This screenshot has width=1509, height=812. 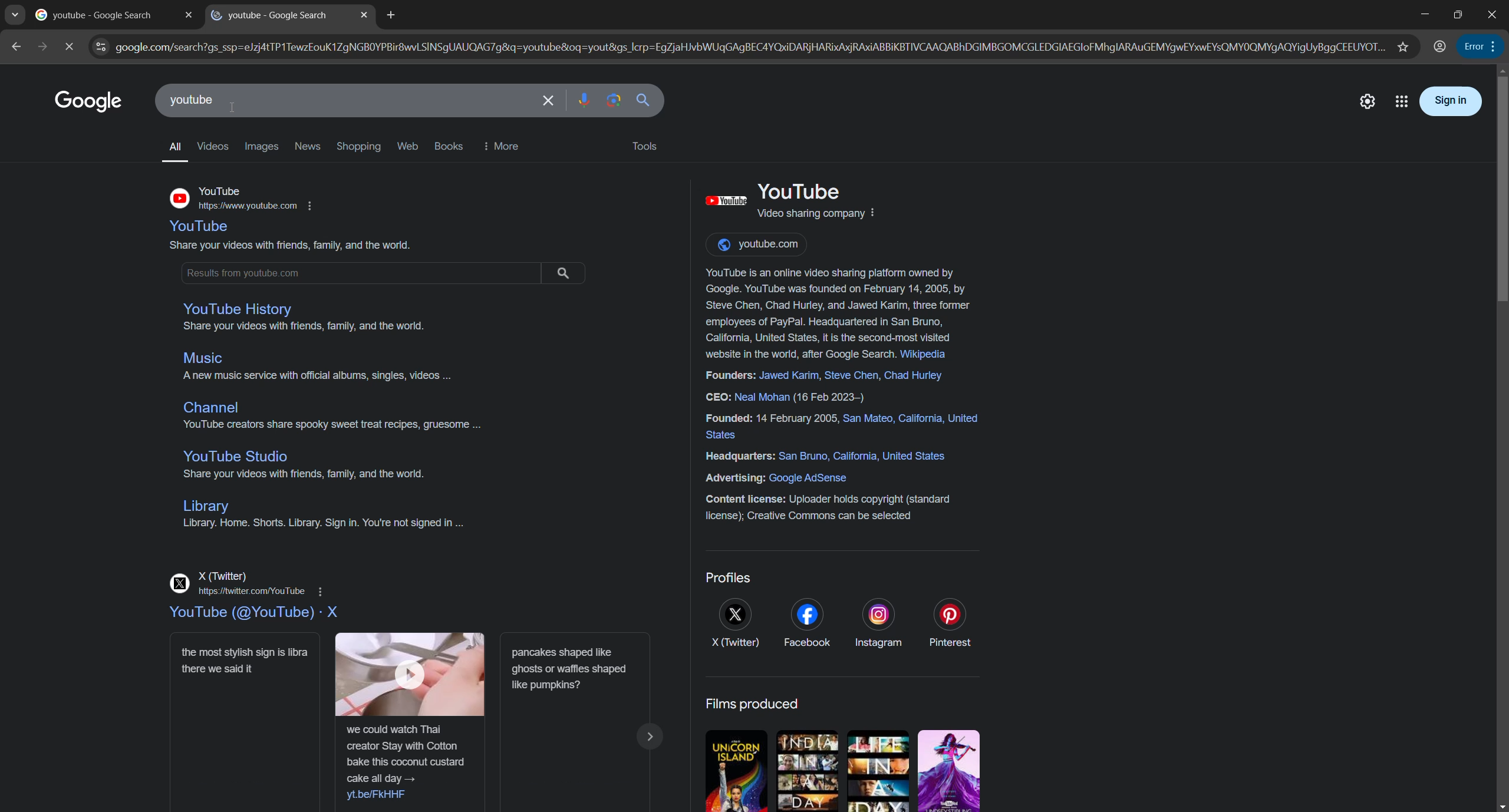 What do you see at coordinates (411, 722) in the screenshot?
I see `we could watch thai creator stay with cotton bake this account sustard cake all day yt.be/fkhhf` at bounding box center [411, 722].